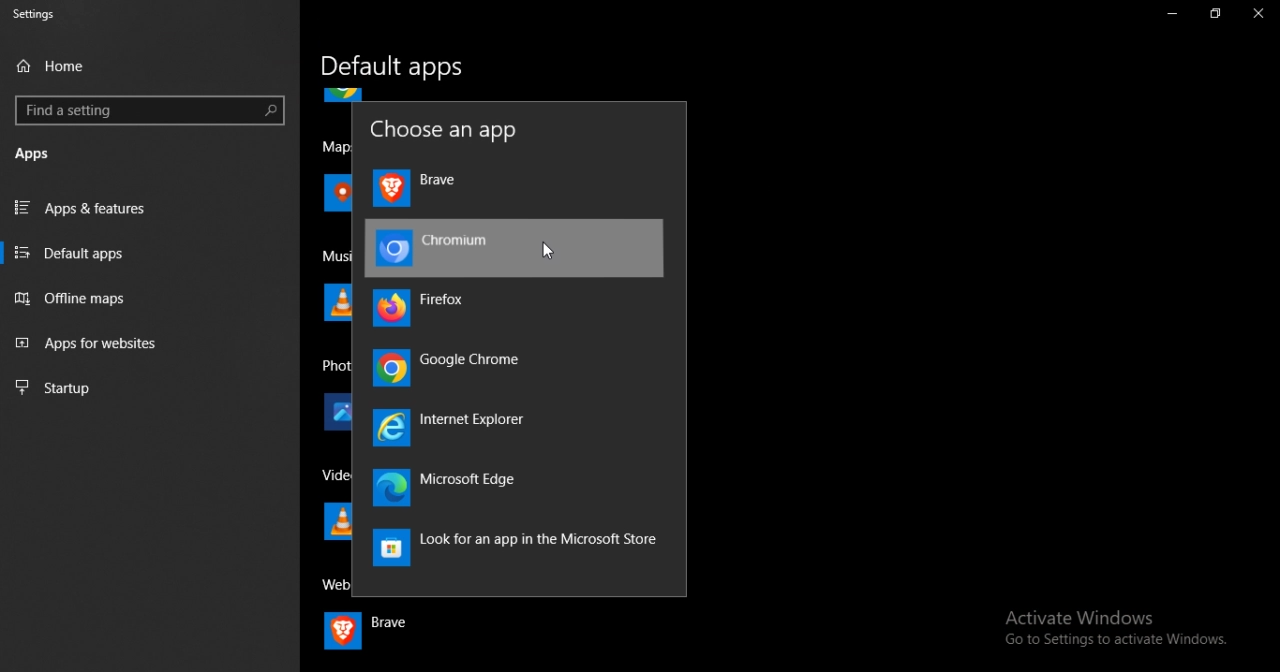 The image size is (1280, 672). Describe the element at coordinates (335, 524) in the screenshot. I see `VLC media player` at that location.